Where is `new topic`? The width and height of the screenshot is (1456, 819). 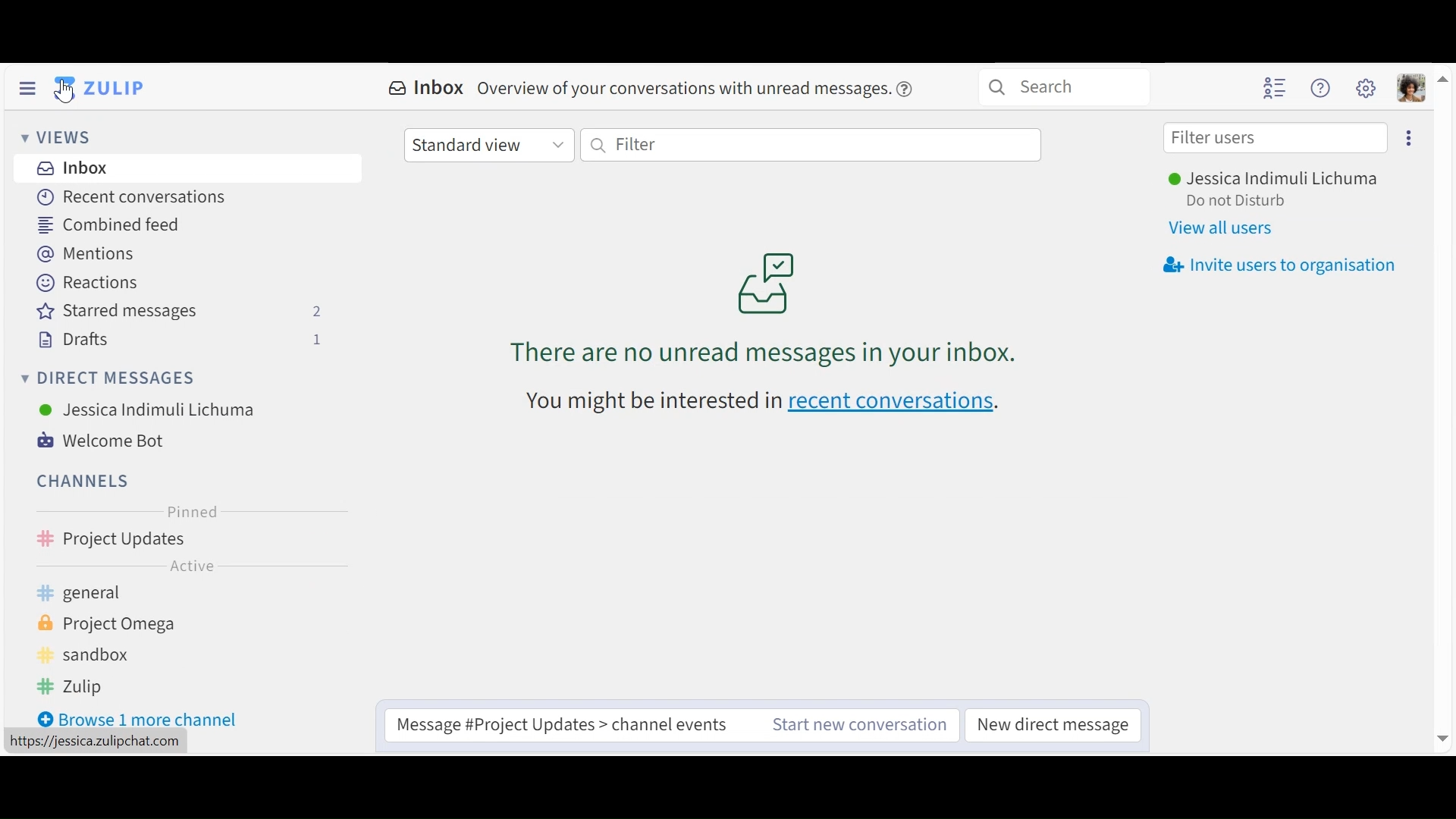 new topic is located at coordinates (315, 538).